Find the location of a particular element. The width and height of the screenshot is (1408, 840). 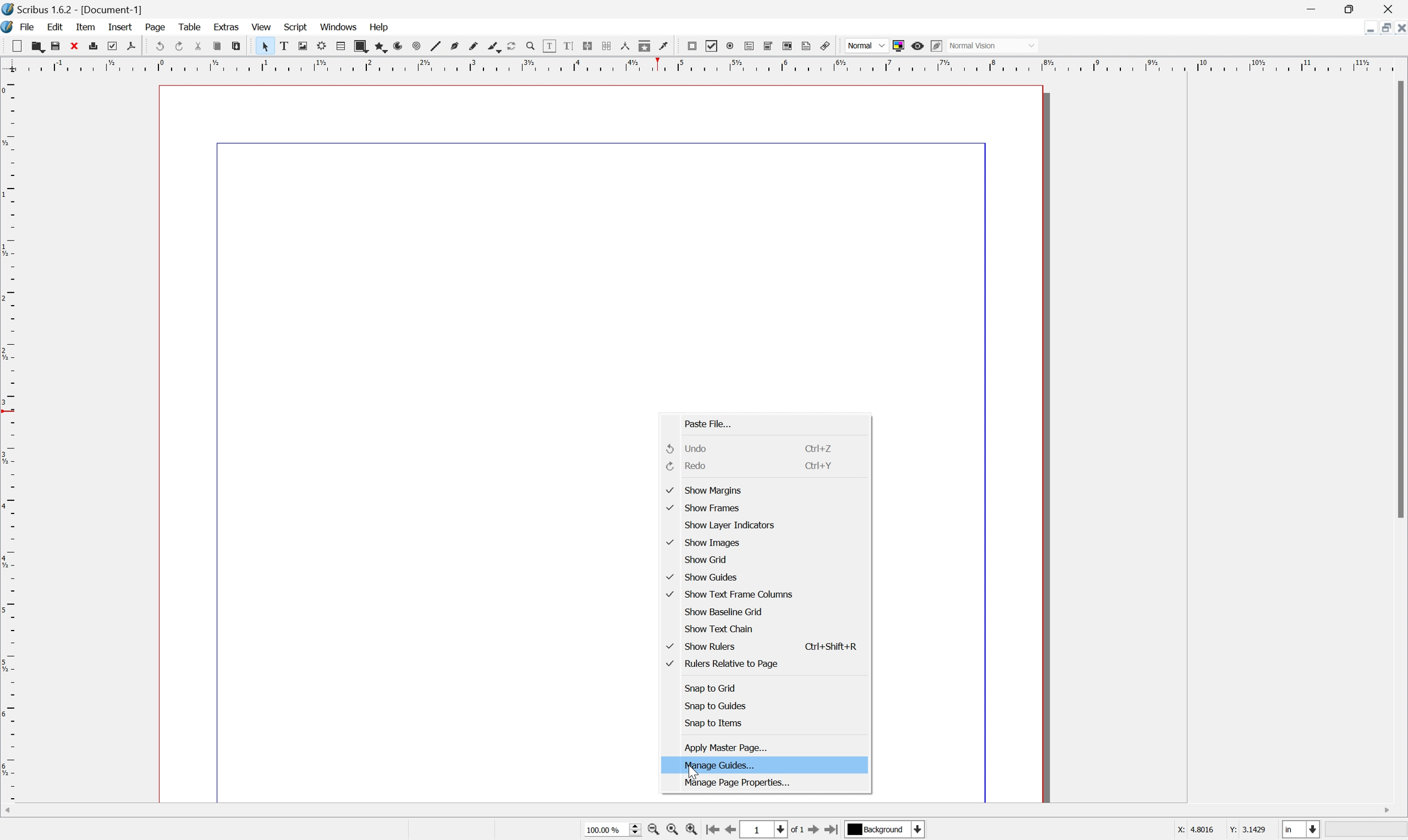

table is located at coordinates (341, 47).